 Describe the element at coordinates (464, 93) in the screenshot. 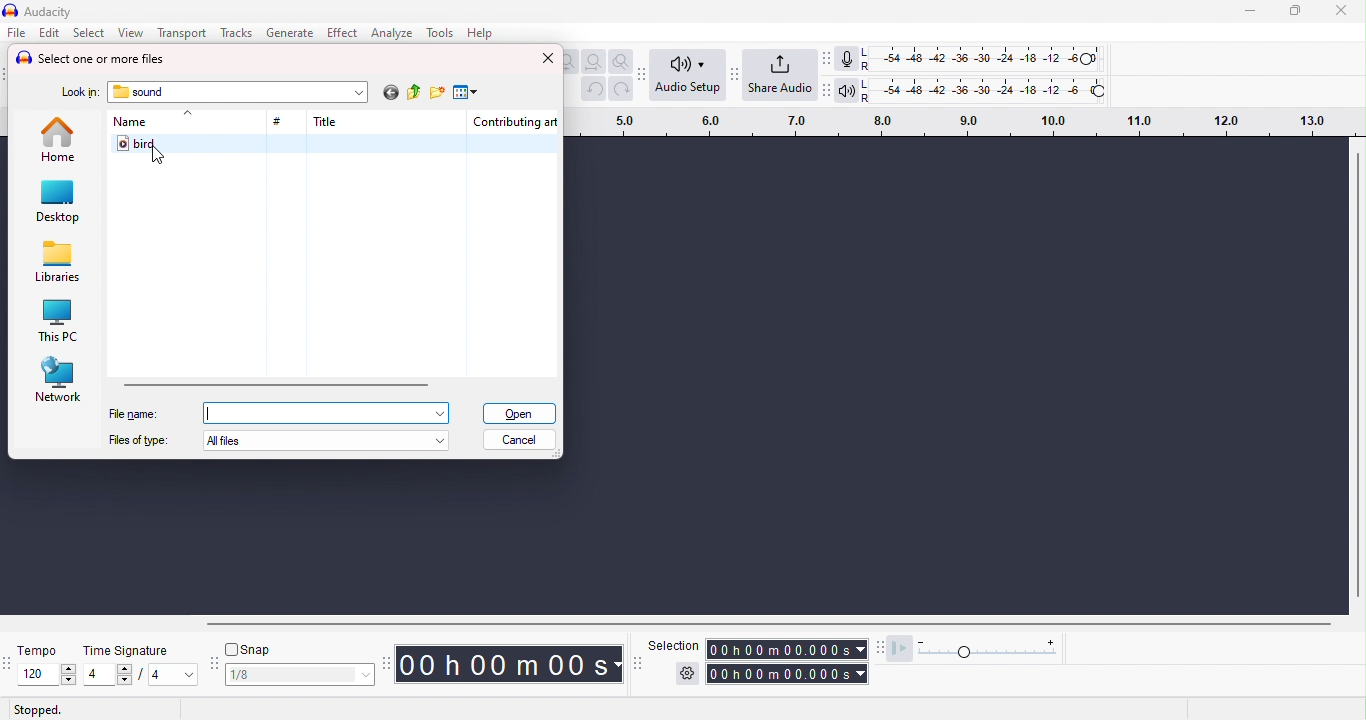

I see `change view` at that location.